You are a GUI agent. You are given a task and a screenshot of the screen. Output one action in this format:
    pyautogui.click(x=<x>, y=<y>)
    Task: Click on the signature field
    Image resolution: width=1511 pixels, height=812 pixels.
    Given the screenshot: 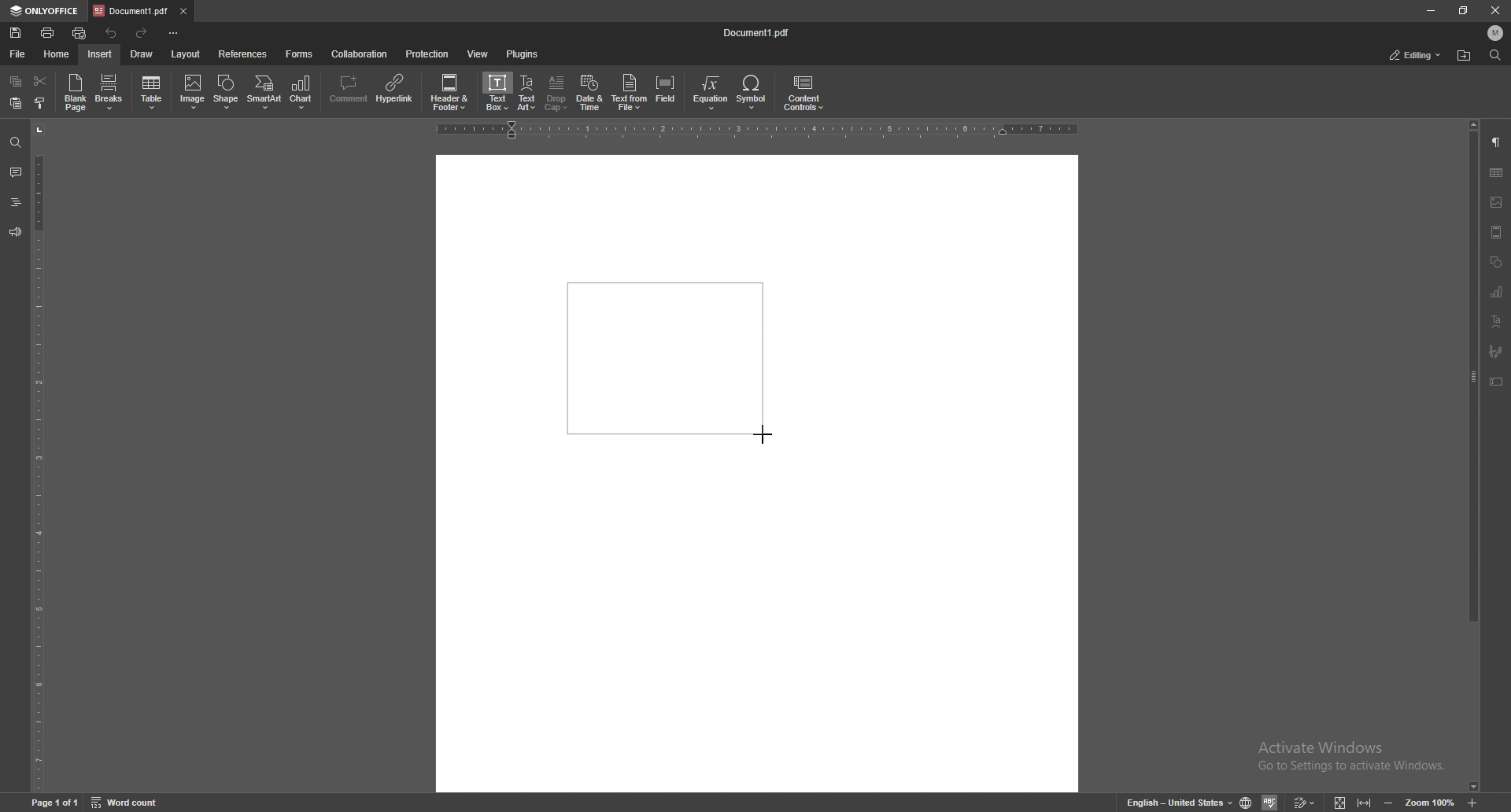 What is the action you would take?
    pyautogui.click(x=1496, y=350)
    